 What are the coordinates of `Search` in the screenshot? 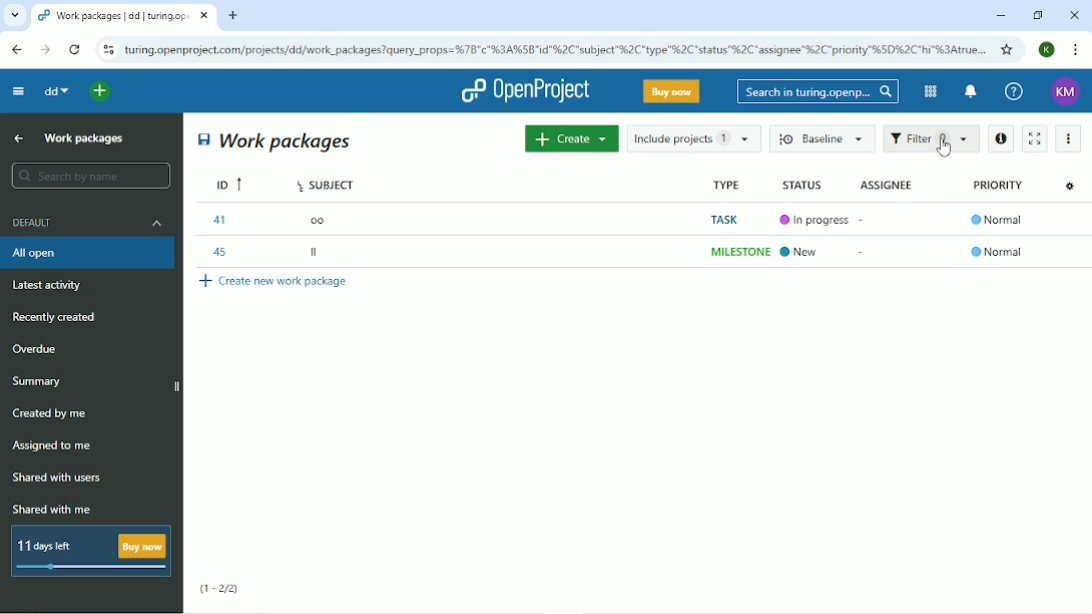 It's located at (818, 91).